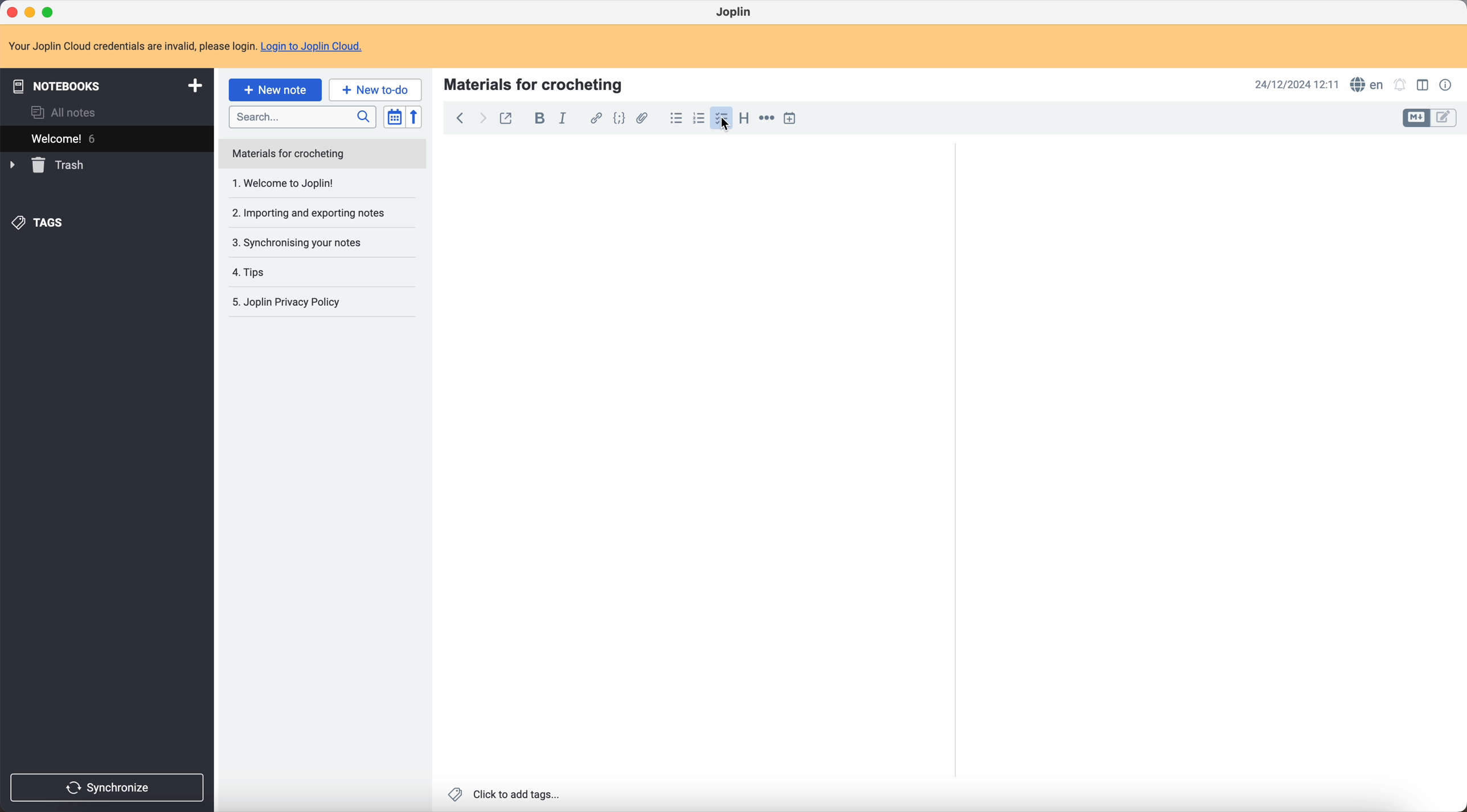 The height and width of the screenshot is (812, 1467). Describe the element at coordinates (276, 89) in the screenshot. I see `click on new note` at that location.